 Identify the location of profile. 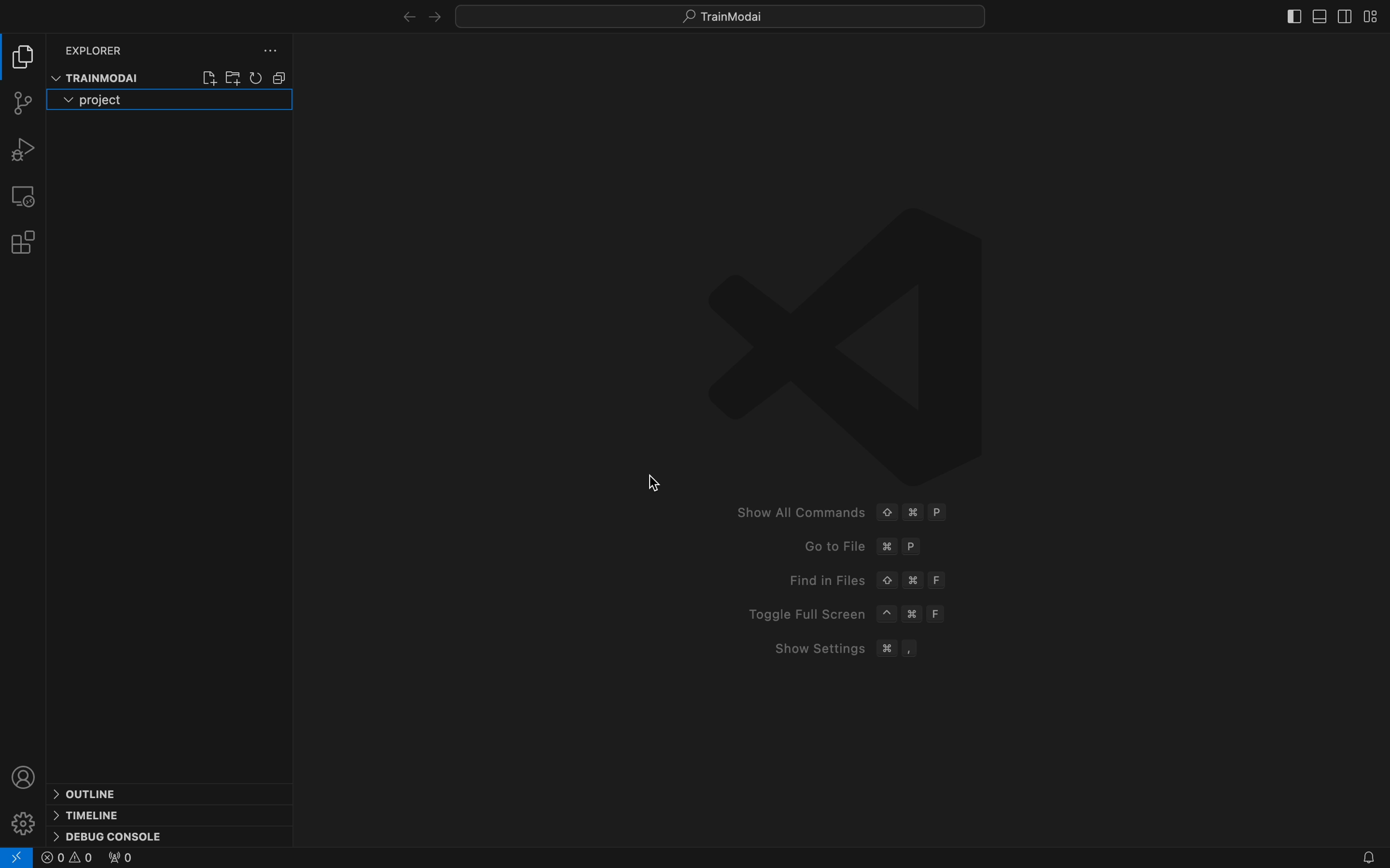
(25, 776).